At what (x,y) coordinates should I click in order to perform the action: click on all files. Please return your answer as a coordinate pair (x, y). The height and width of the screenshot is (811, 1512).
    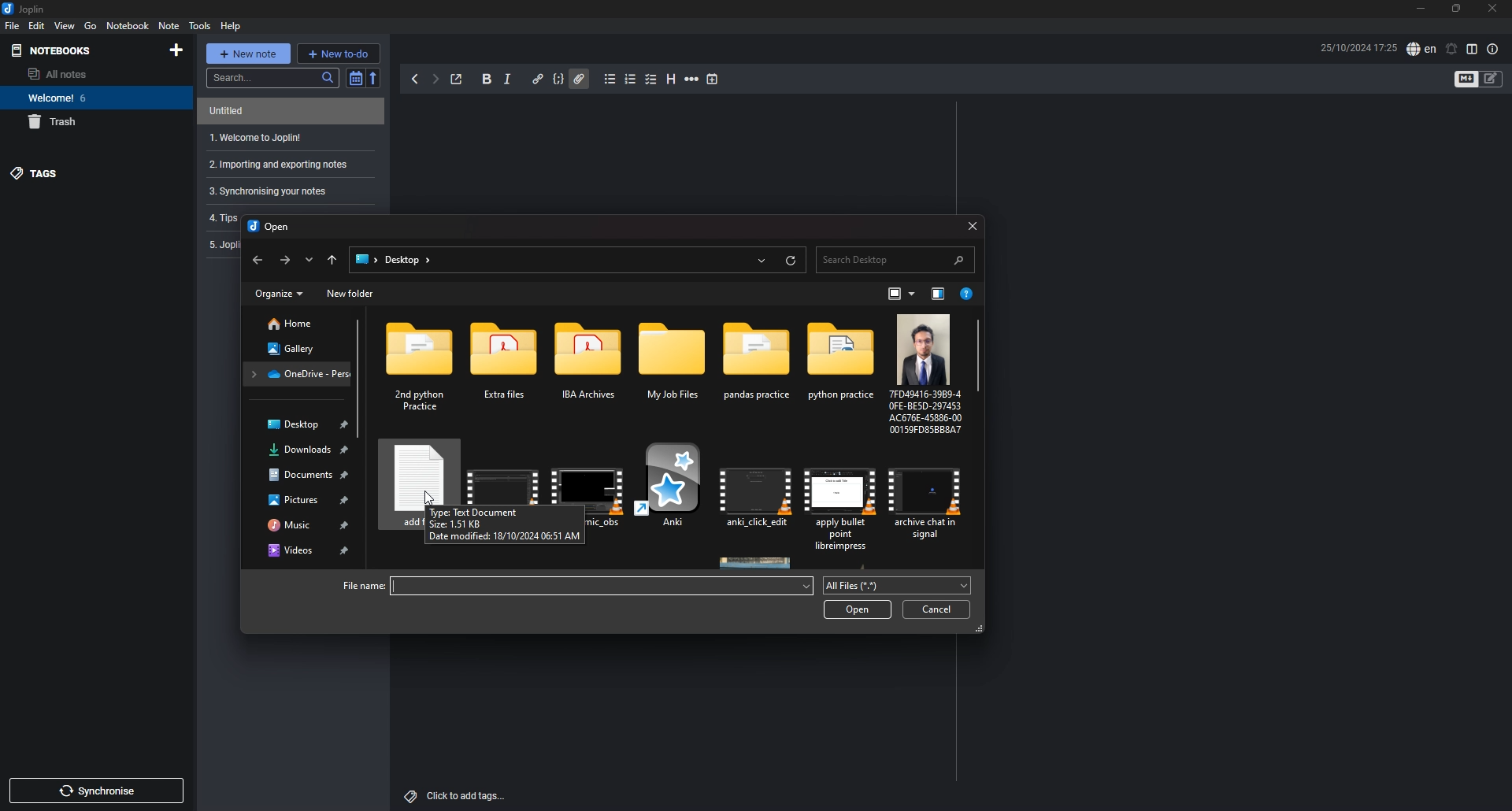
    Looking at the image, I should click on (895, 586).